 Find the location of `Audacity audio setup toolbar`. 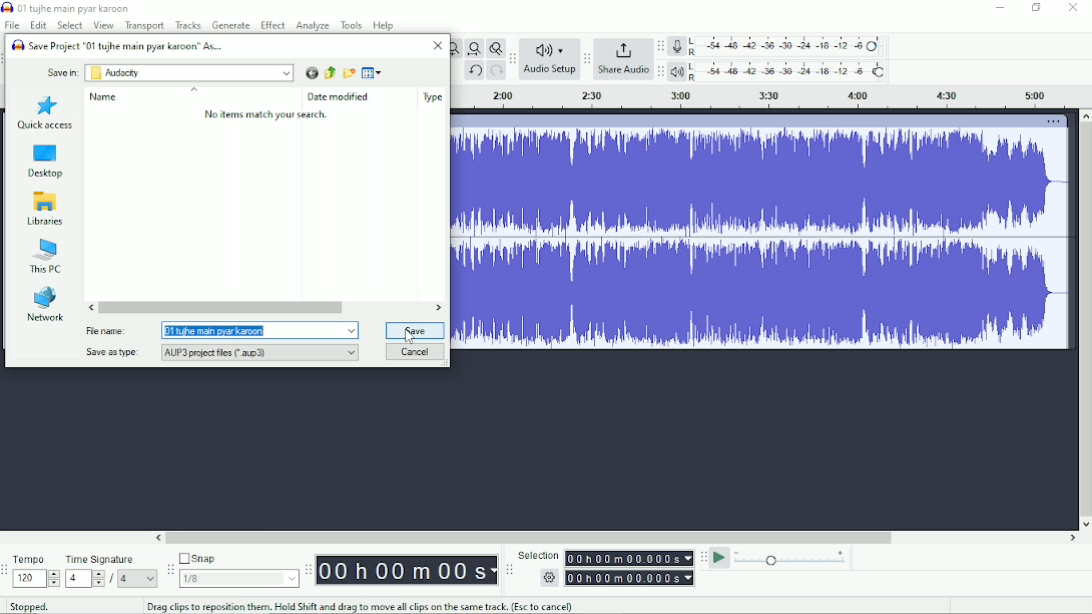

Audacity audio setup toolbar is located at coordinates (512, 58).